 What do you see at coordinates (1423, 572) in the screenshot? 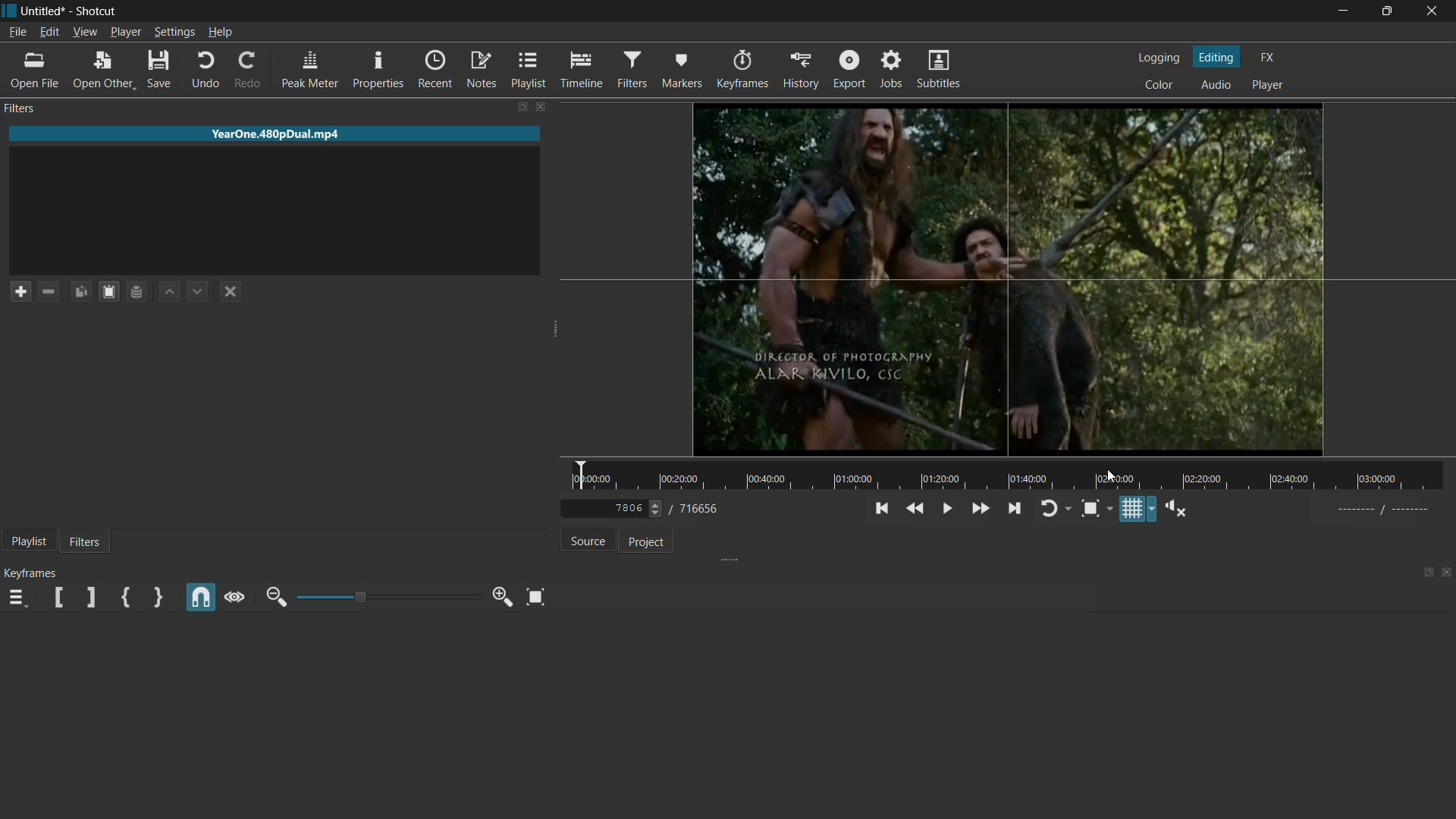
I see `change layout` at bounding box center [1423, 572].